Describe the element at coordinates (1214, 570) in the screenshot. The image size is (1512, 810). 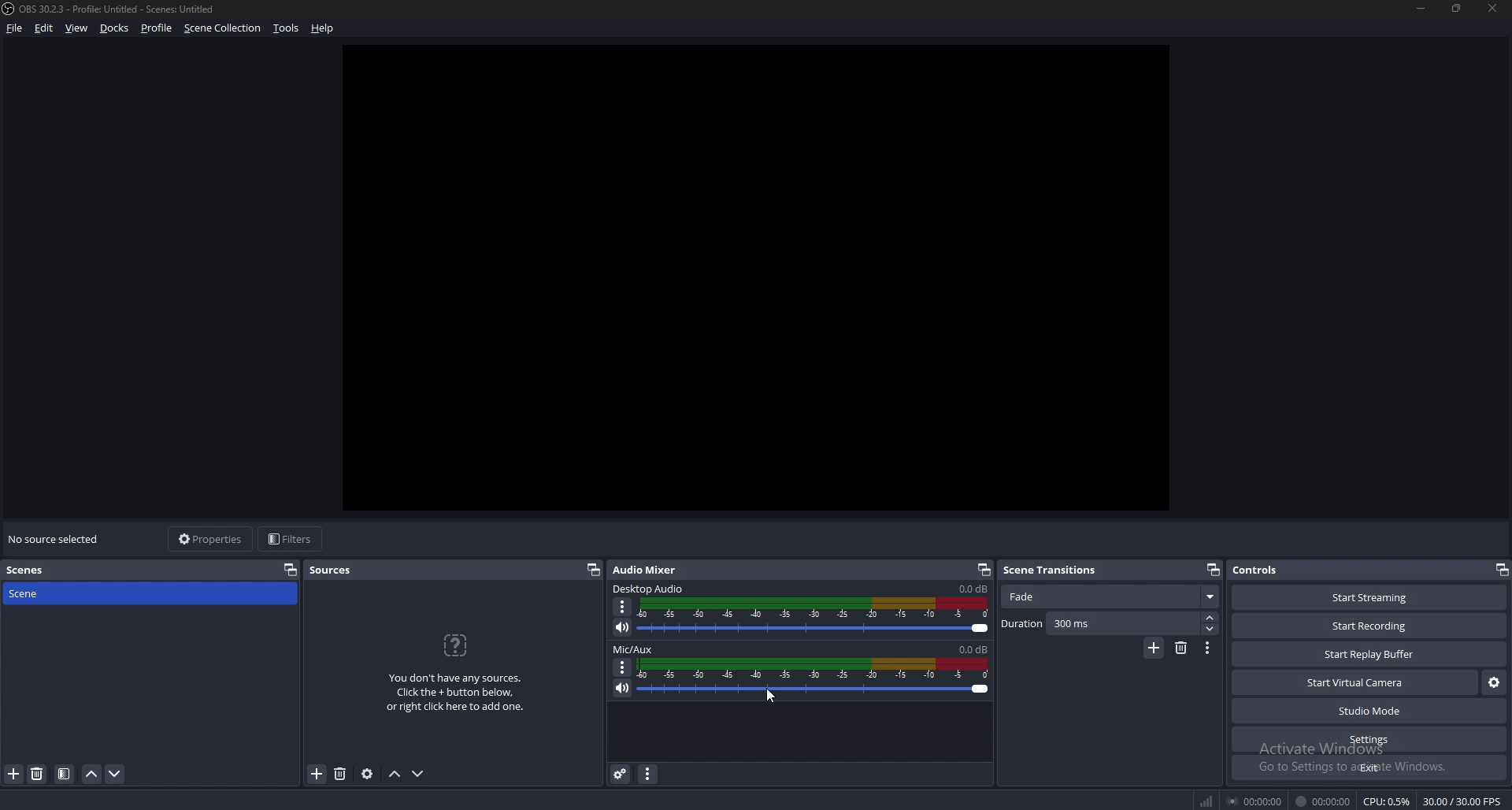
I see `pop out` at that location.